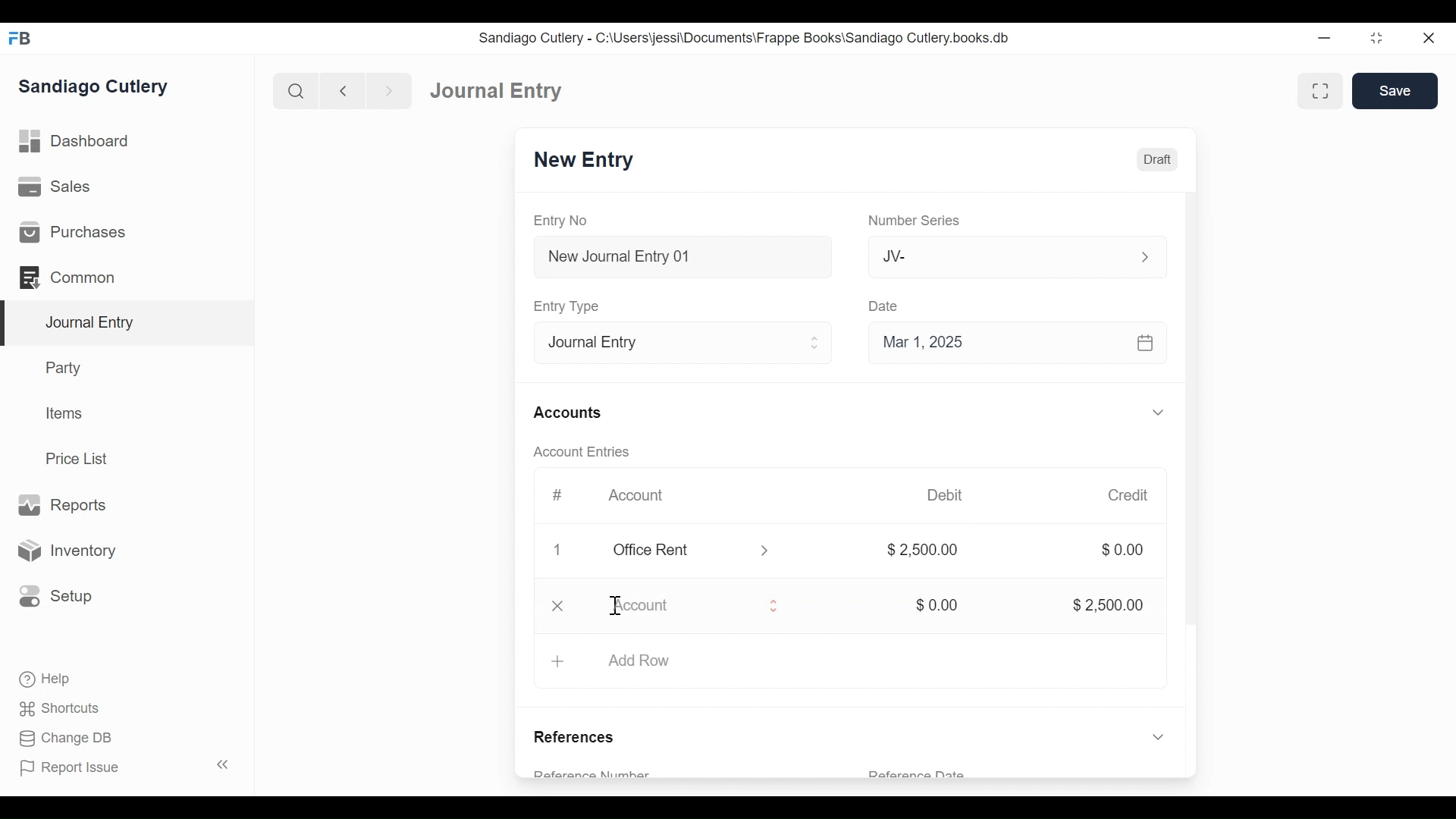 The image size is (1456, 819). Describe the element at coordinates (948, 495) in the screenshot. I see `Debit` at that location.